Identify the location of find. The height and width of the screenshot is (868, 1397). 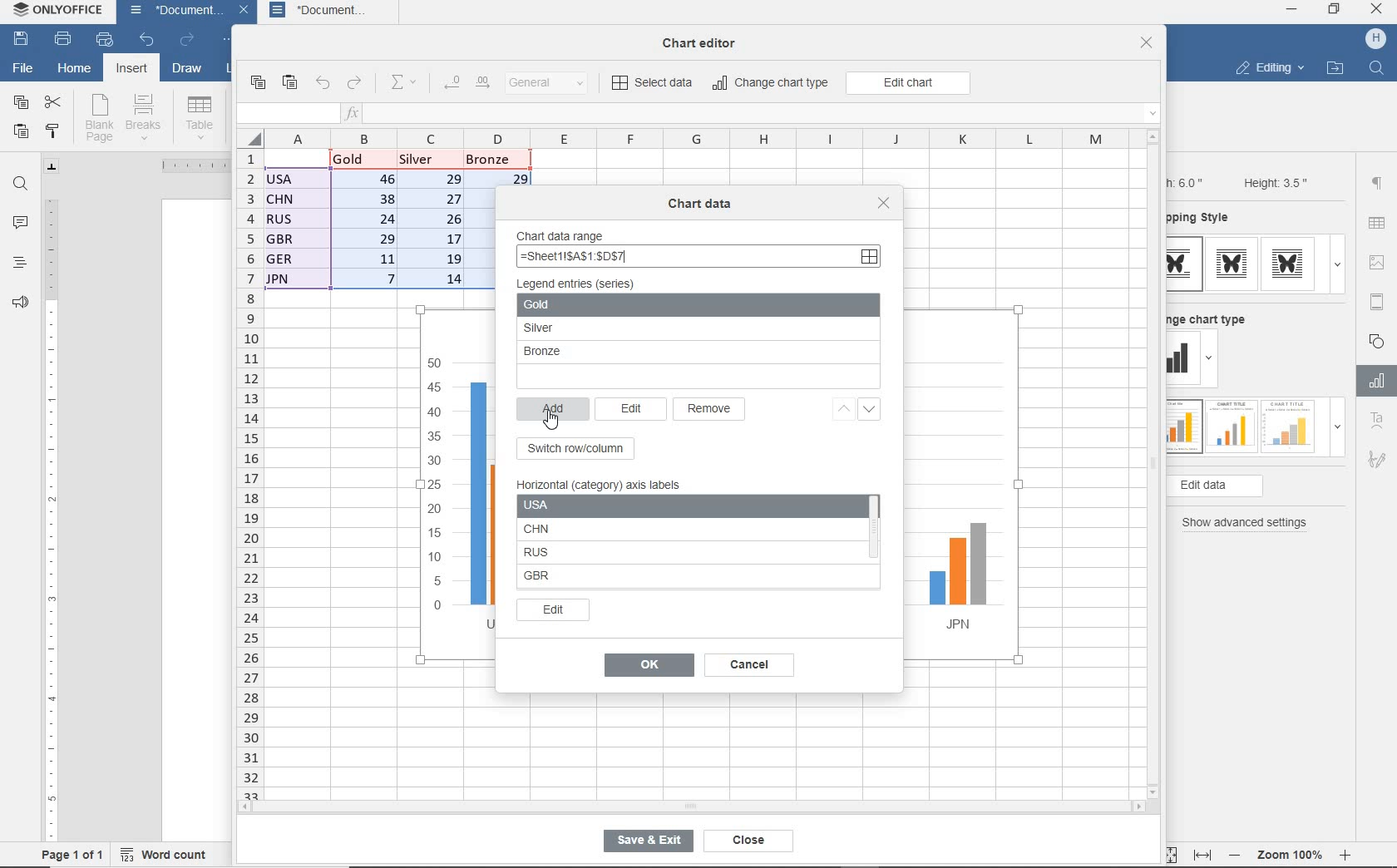
(22, 184).